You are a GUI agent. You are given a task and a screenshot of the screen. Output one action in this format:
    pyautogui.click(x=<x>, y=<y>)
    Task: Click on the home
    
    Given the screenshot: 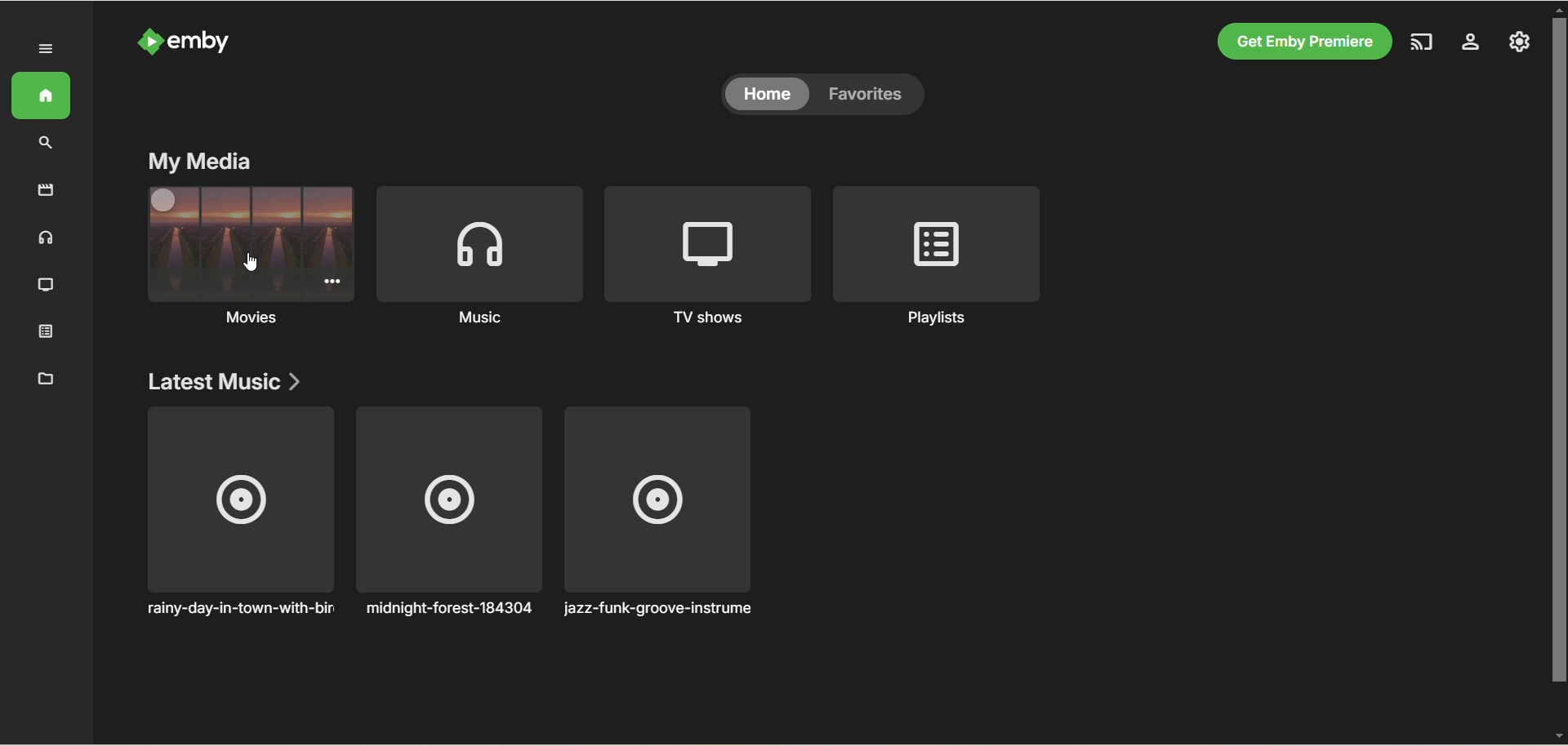 What is the action you would take?
    pyautogui.click(x=767, y=95)
    